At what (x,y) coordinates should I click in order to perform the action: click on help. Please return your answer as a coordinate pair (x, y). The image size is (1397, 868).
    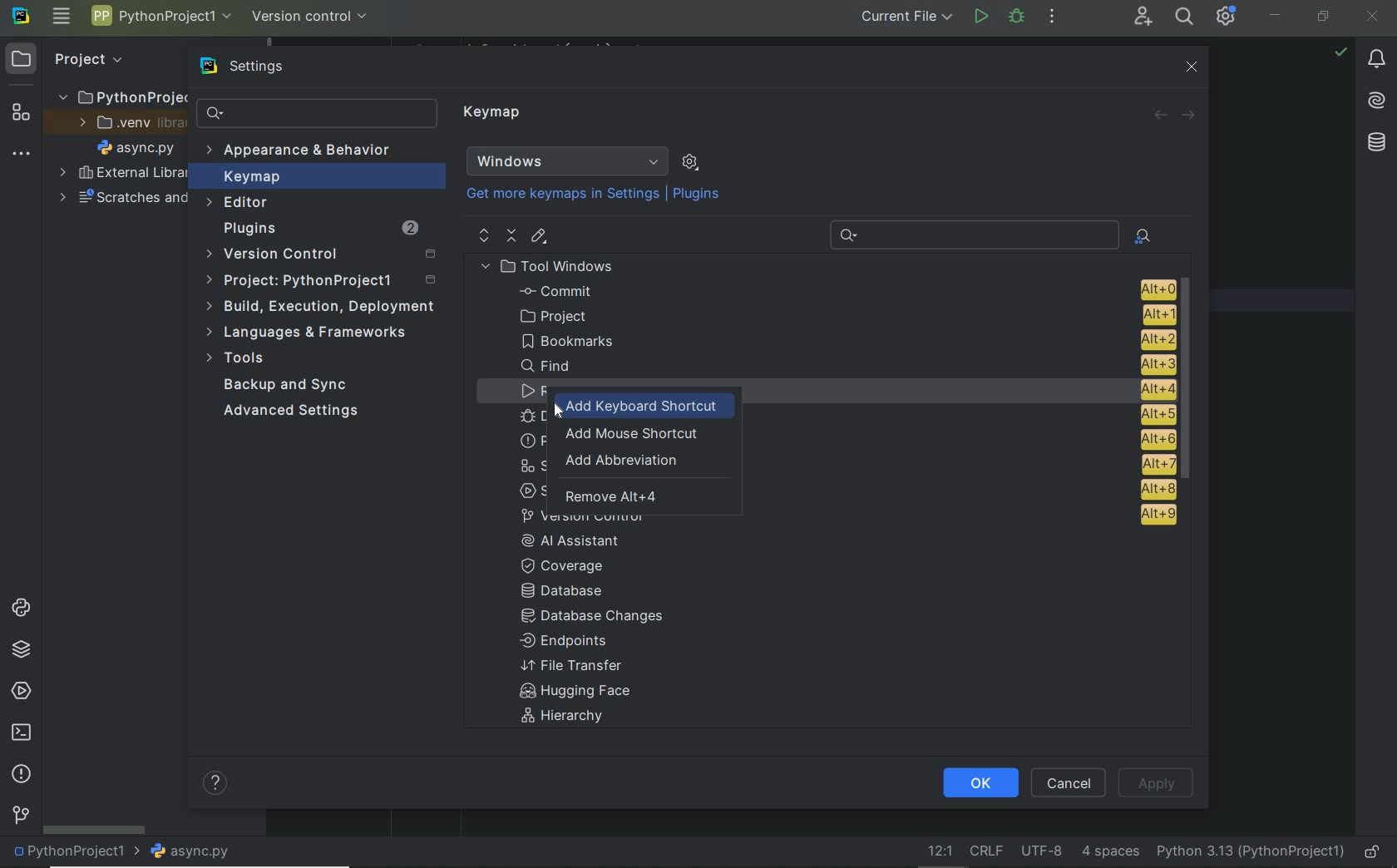
    Looking at the image, I should click on (217, 785).